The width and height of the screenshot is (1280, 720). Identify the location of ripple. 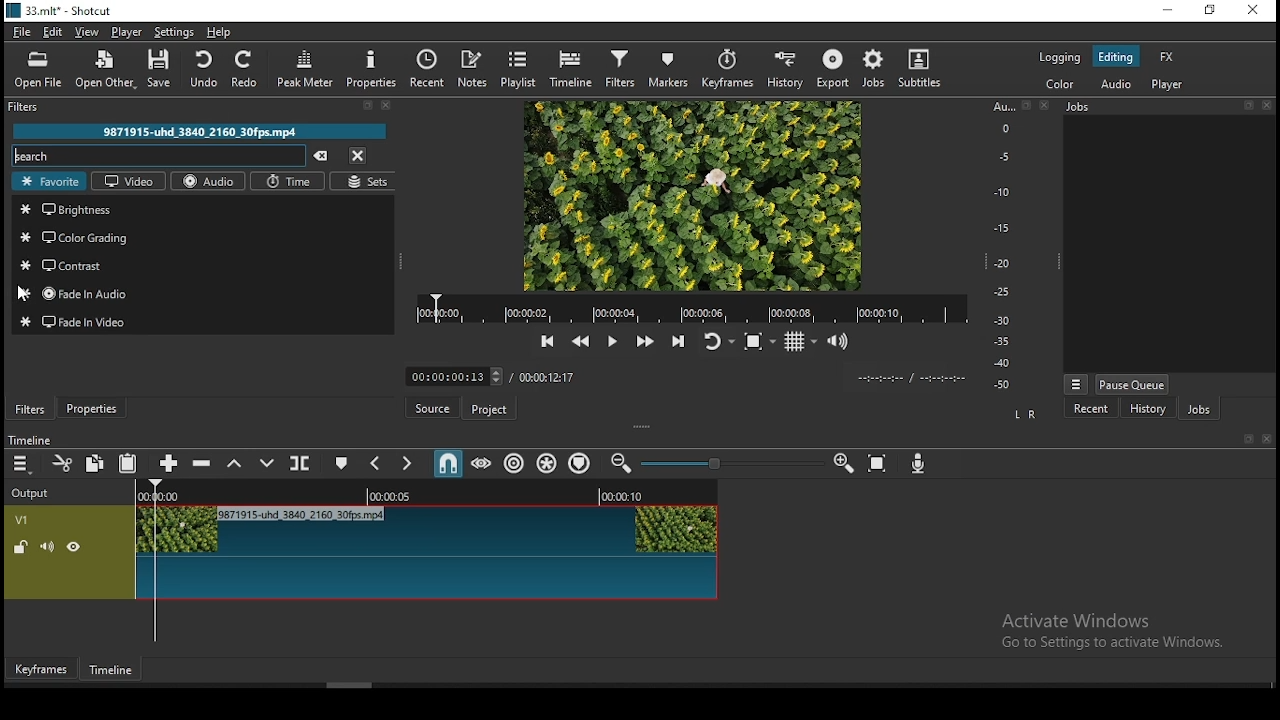
(514, 463).